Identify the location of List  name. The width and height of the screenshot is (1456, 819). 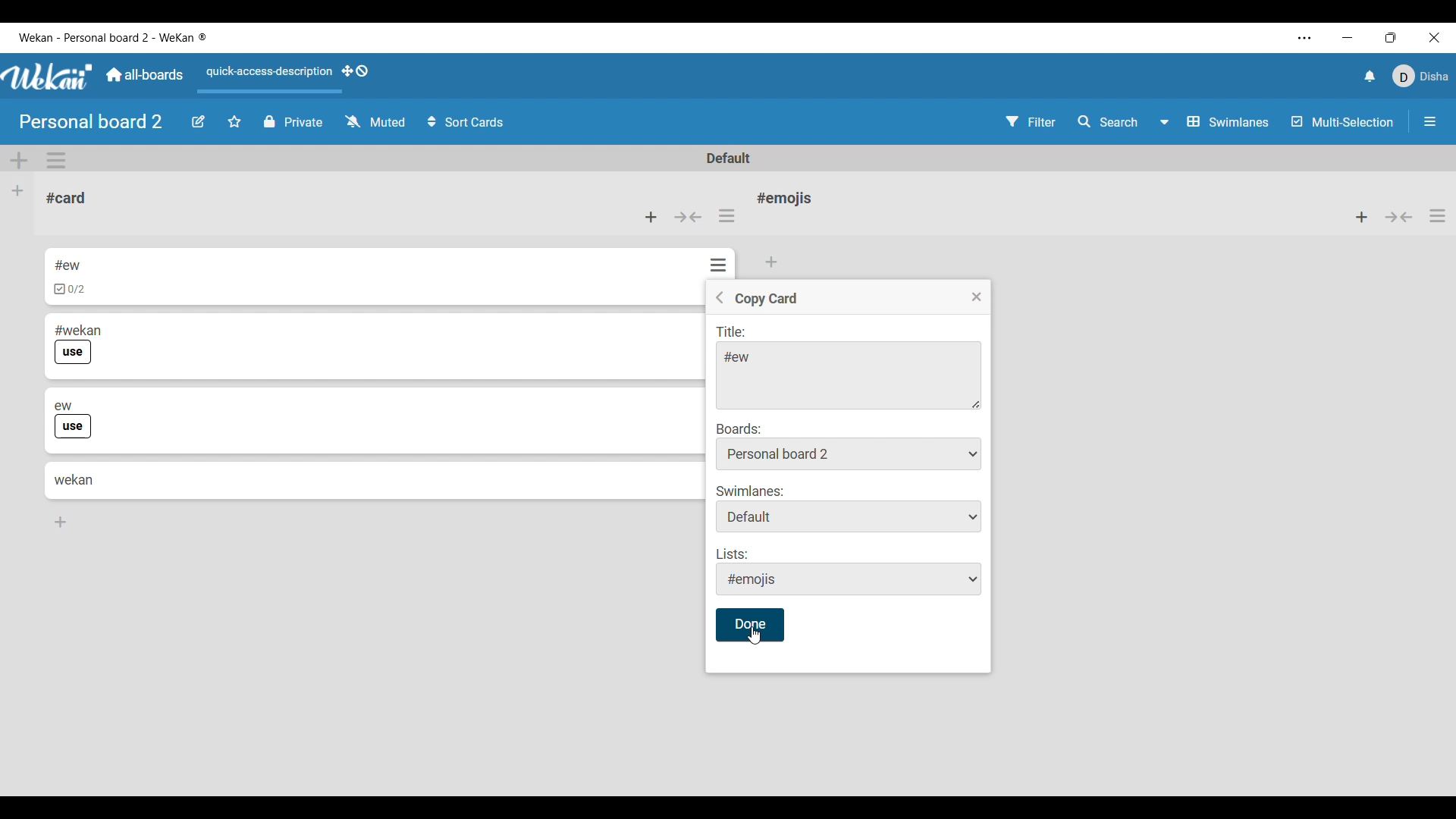
(784, 198).